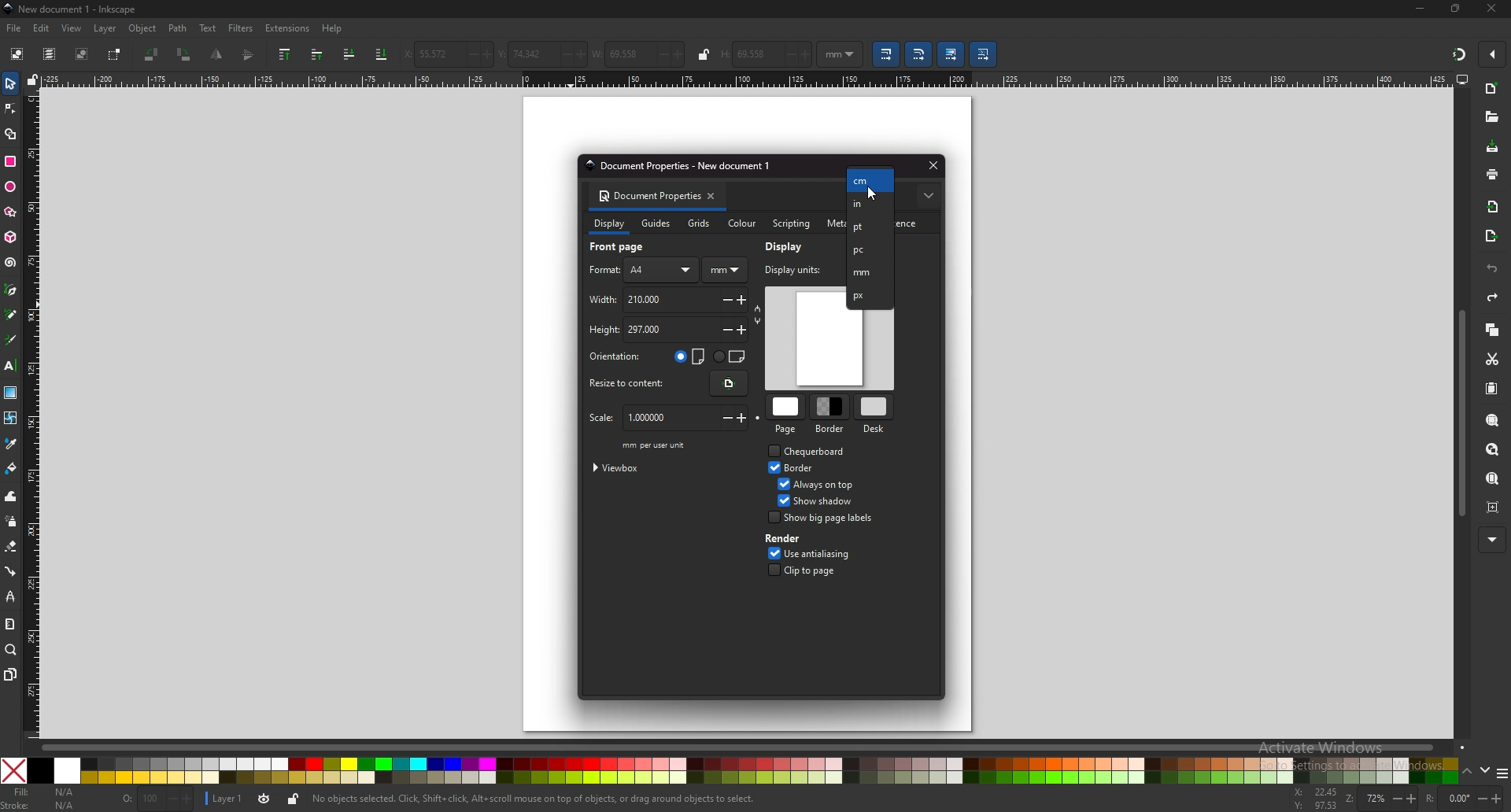 The width and height of the screenshot is (1511, 812). I want to click on spiral, so click(11, 263).